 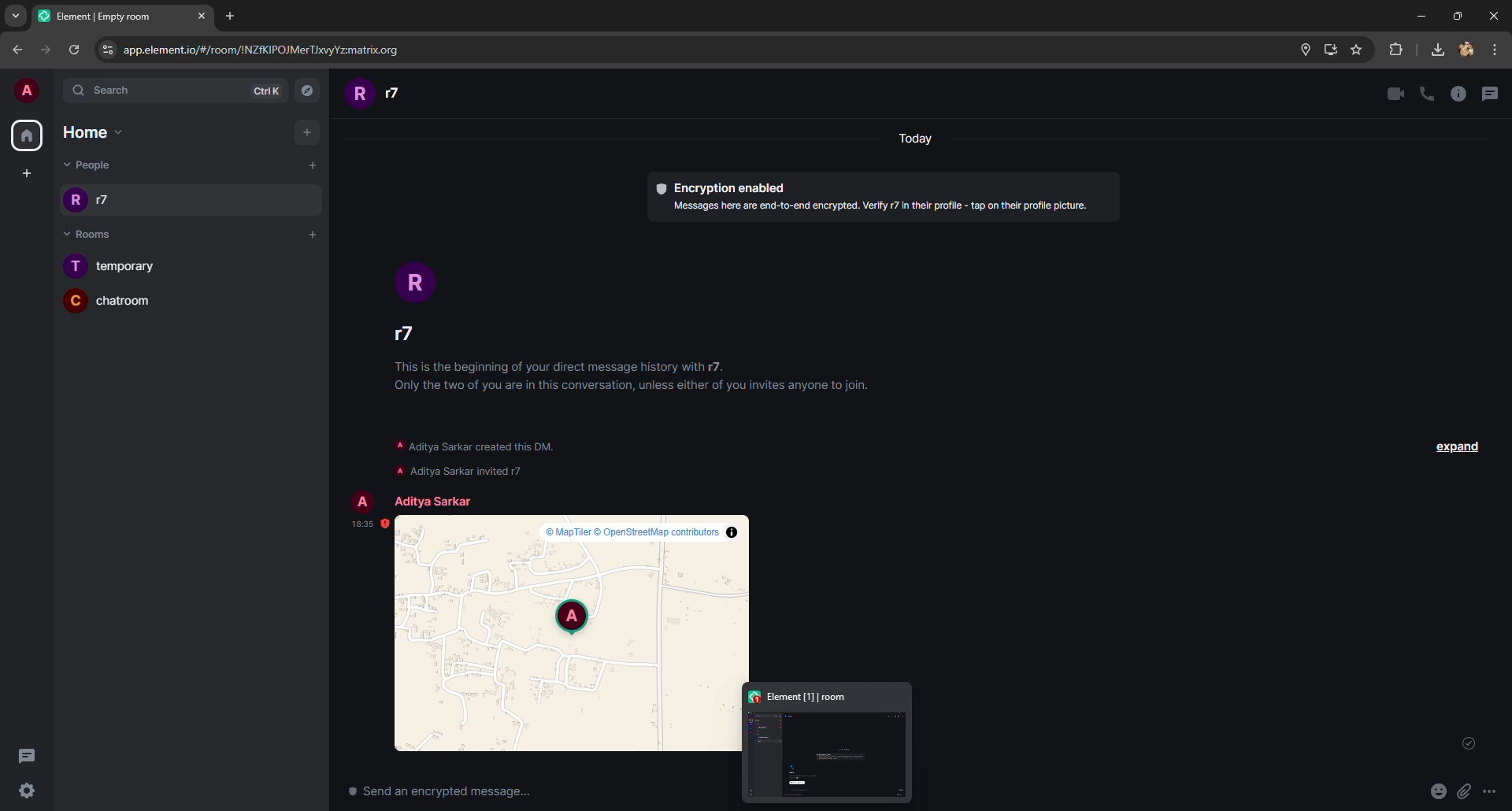 What do you see at coordinates (1456, 450) in the screenshot?
I see `expand` at bounding box center [1456, 450].